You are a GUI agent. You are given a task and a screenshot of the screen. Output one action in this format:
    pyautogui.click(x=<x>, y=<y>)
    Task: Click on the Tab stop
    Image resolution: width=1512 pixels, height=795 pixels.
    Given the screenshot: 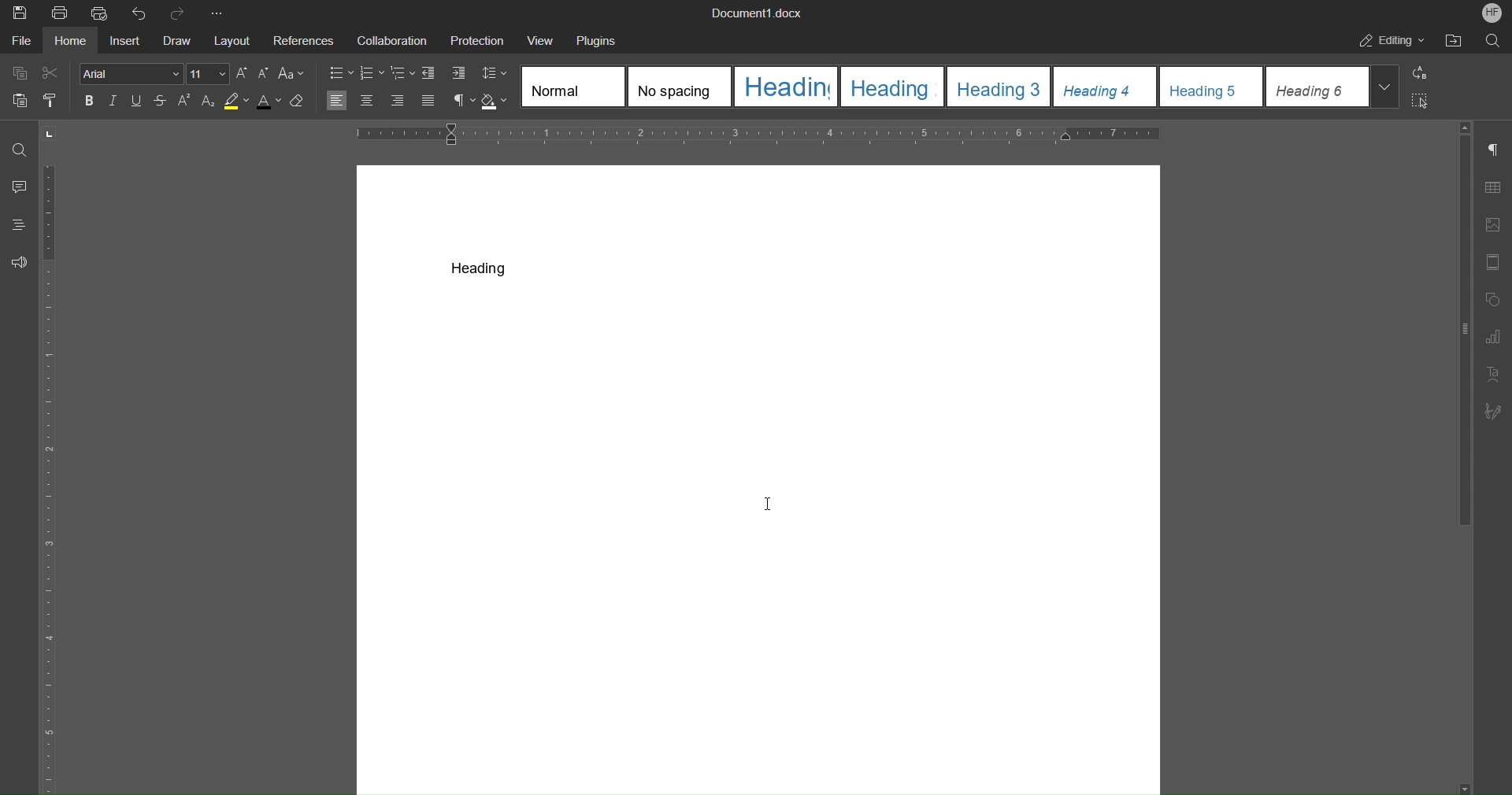 What is the action you would take?
    pyautogui.click(x=55, y=135)
    